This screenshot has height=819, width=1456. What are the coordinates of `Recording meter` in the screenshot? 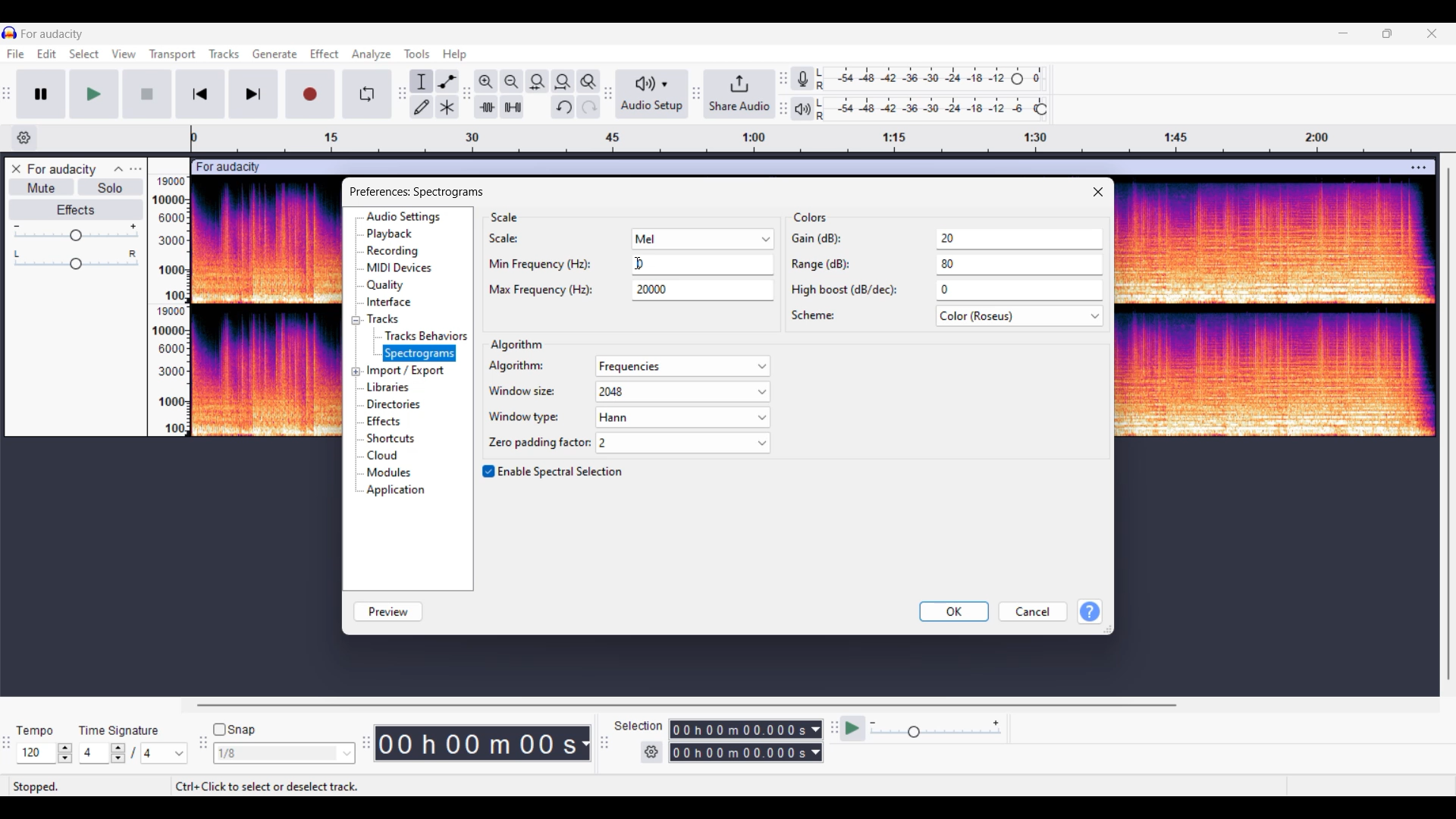 It's located at (802, 78).